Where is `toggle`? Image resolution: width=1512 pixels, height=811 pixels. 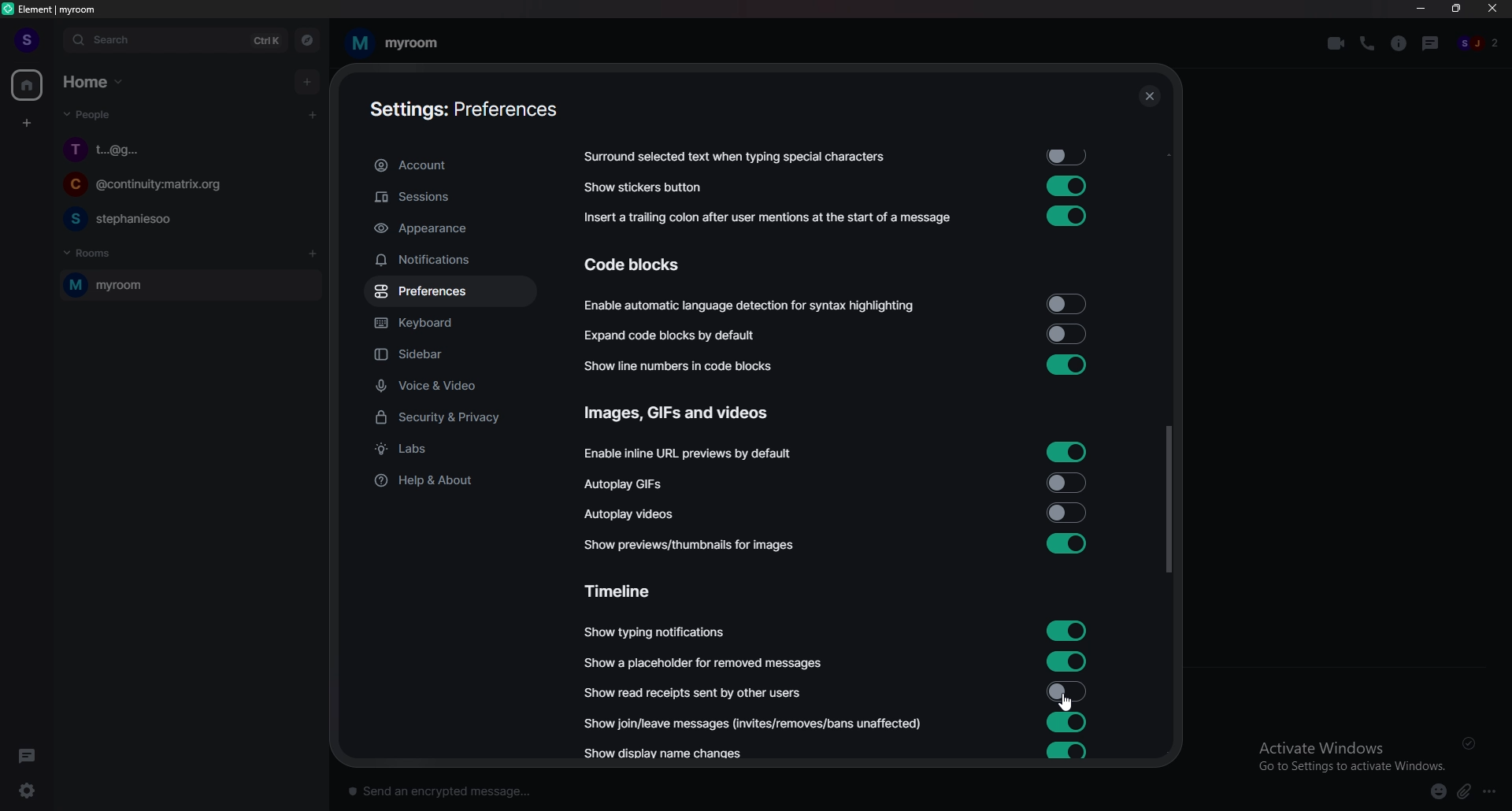 toggle is located at coordinates (1068, 628).